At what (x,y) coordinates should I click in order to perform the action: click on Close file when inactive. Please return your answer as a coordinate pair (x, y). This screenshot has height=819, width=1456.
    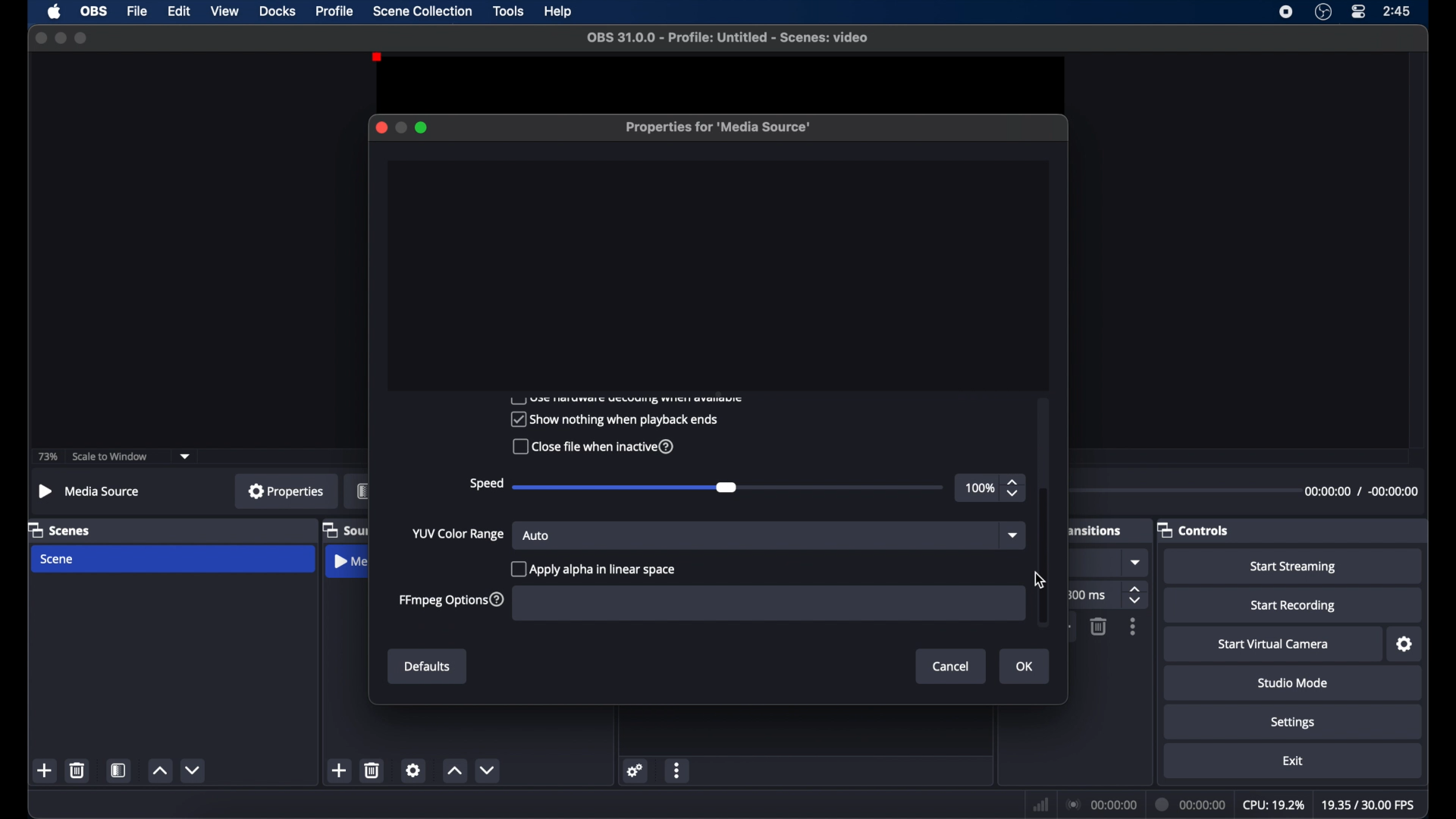
    Looking at the image, I should click on (591, 448).